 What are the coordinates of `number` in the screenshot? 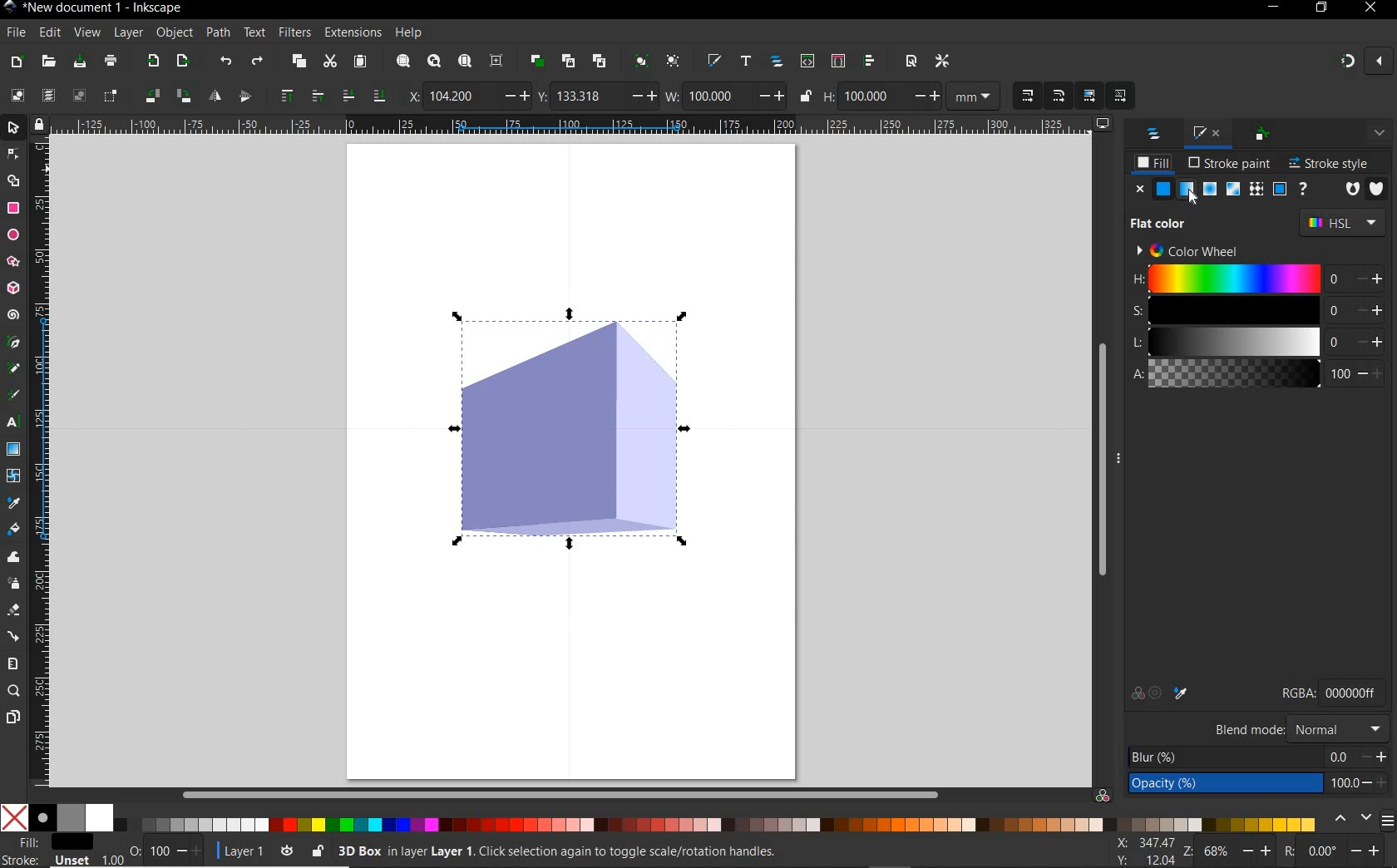 It's located at (1340, 326).